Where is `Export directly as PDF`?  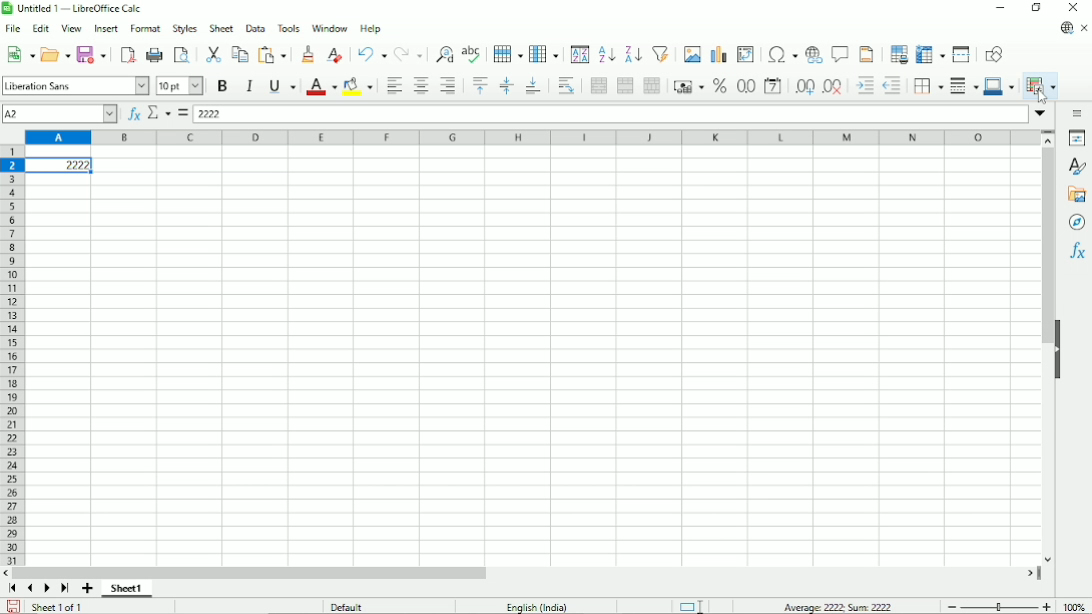
Export directly as PDF is located at coordinates (127, 53).